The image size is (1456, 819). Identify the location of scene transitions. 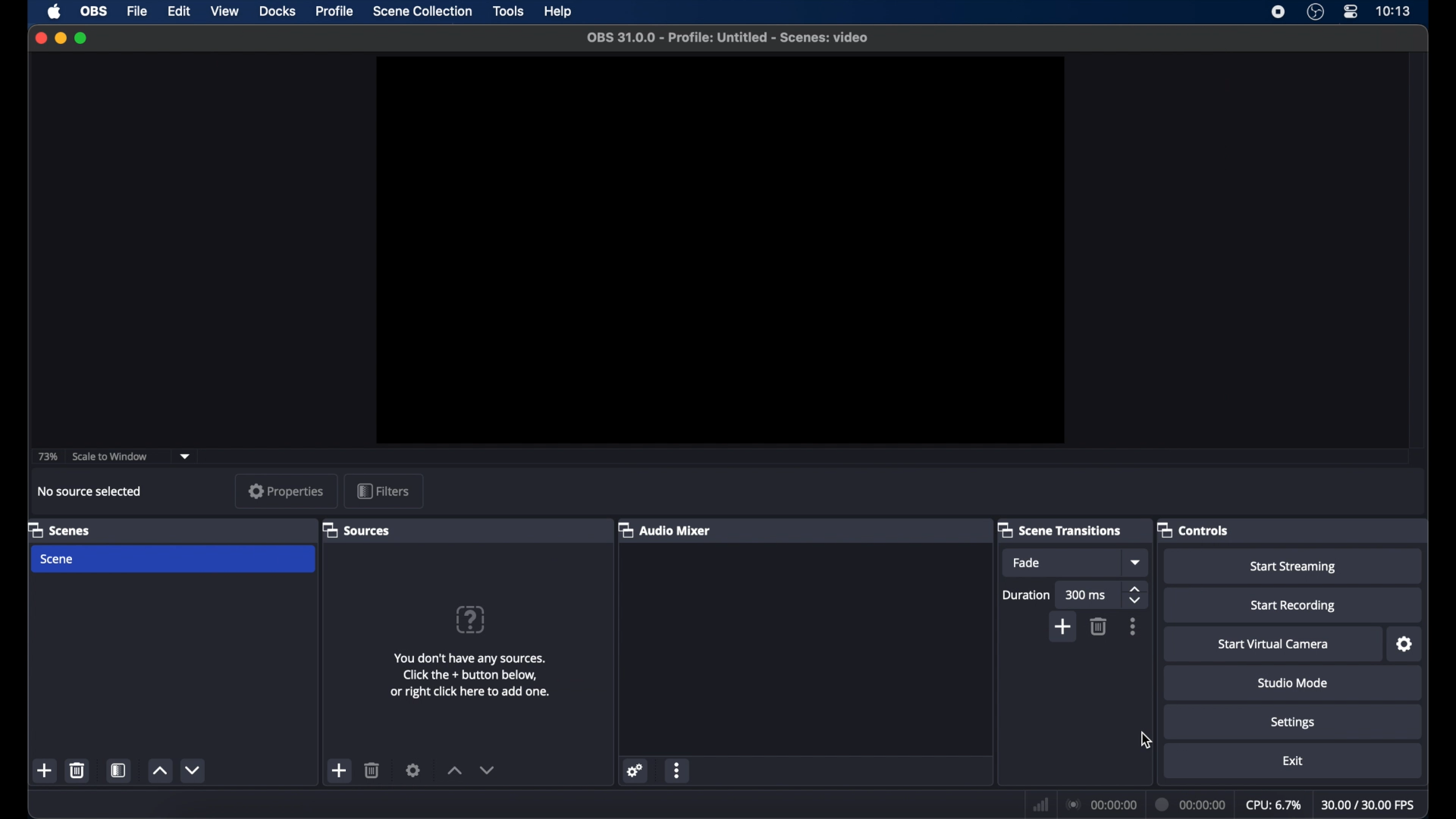
(1060, 529).